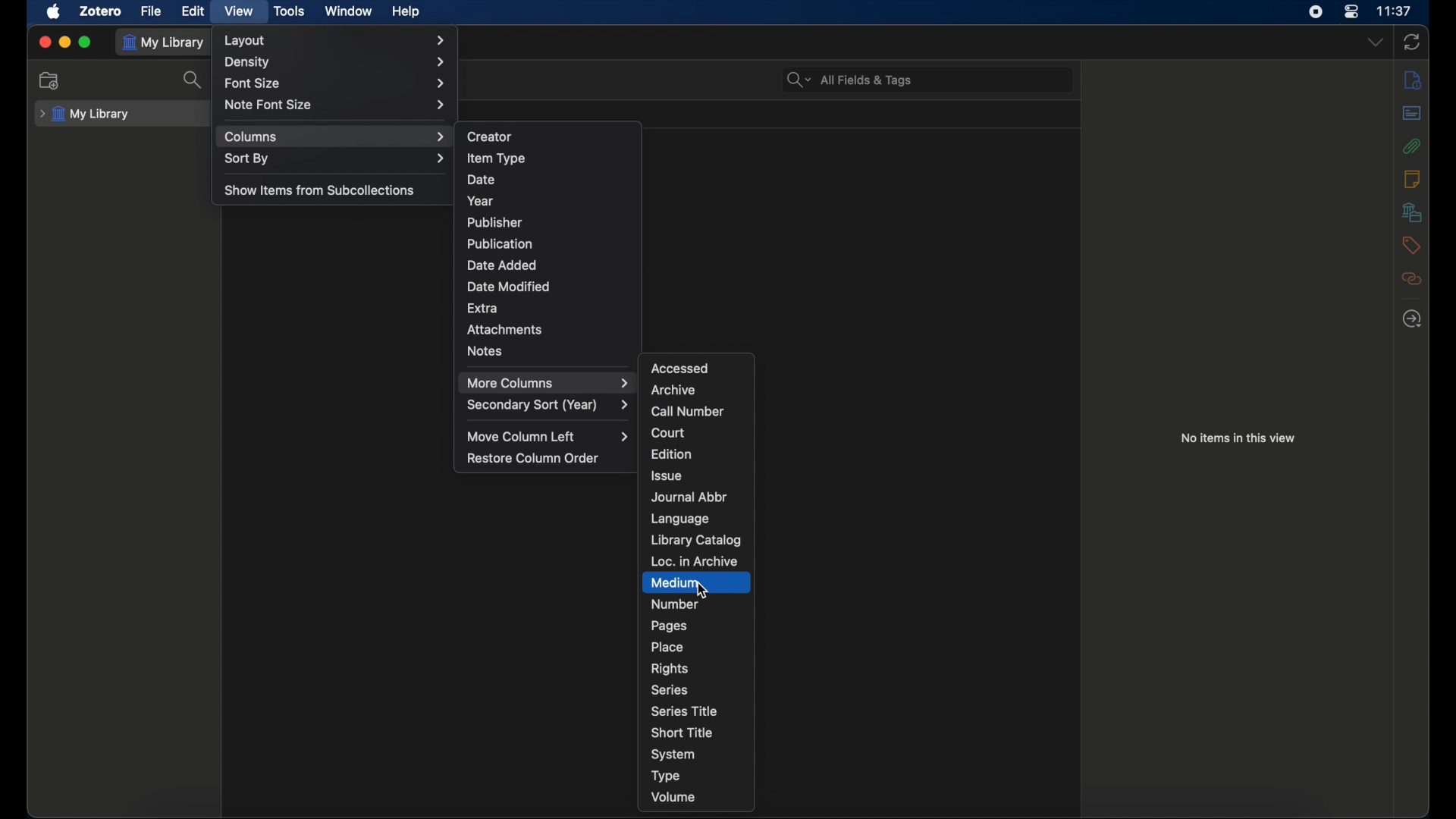  I want to click on series, so click(670, 690).